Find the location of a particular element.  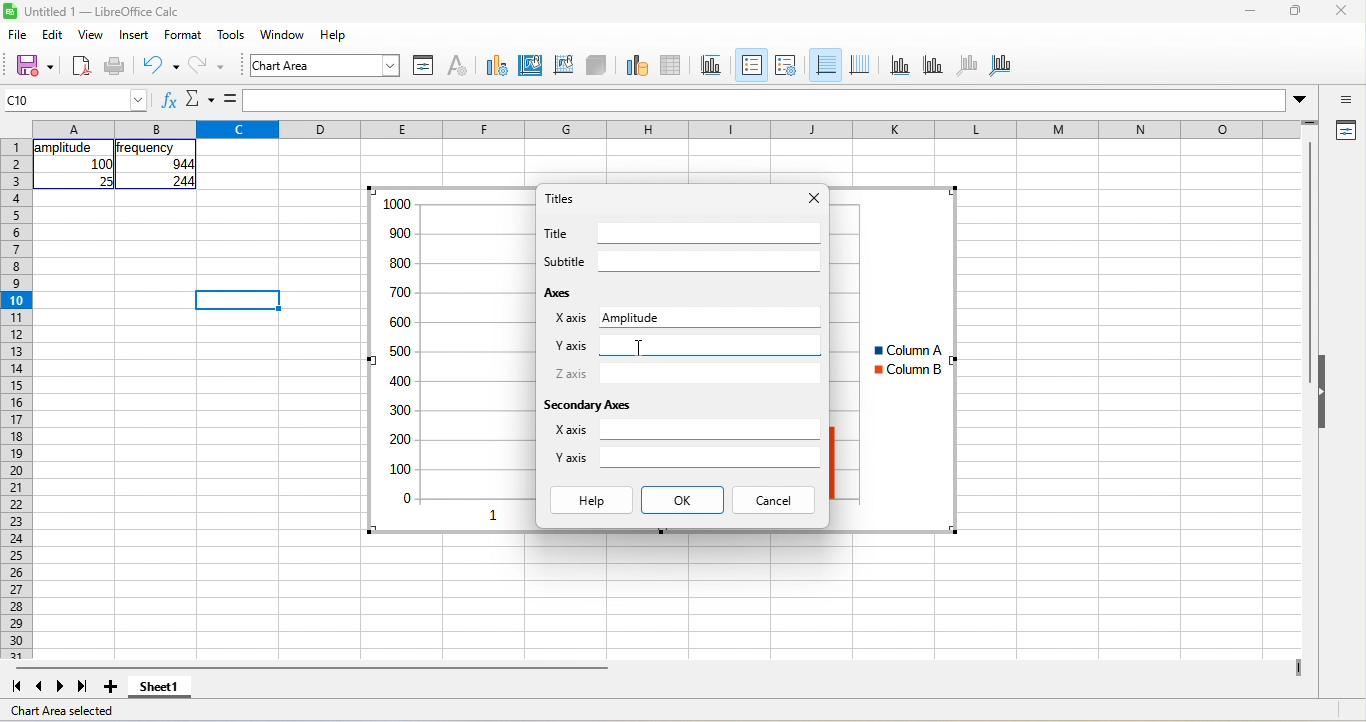

cell name is located at coordinates (74, 100).